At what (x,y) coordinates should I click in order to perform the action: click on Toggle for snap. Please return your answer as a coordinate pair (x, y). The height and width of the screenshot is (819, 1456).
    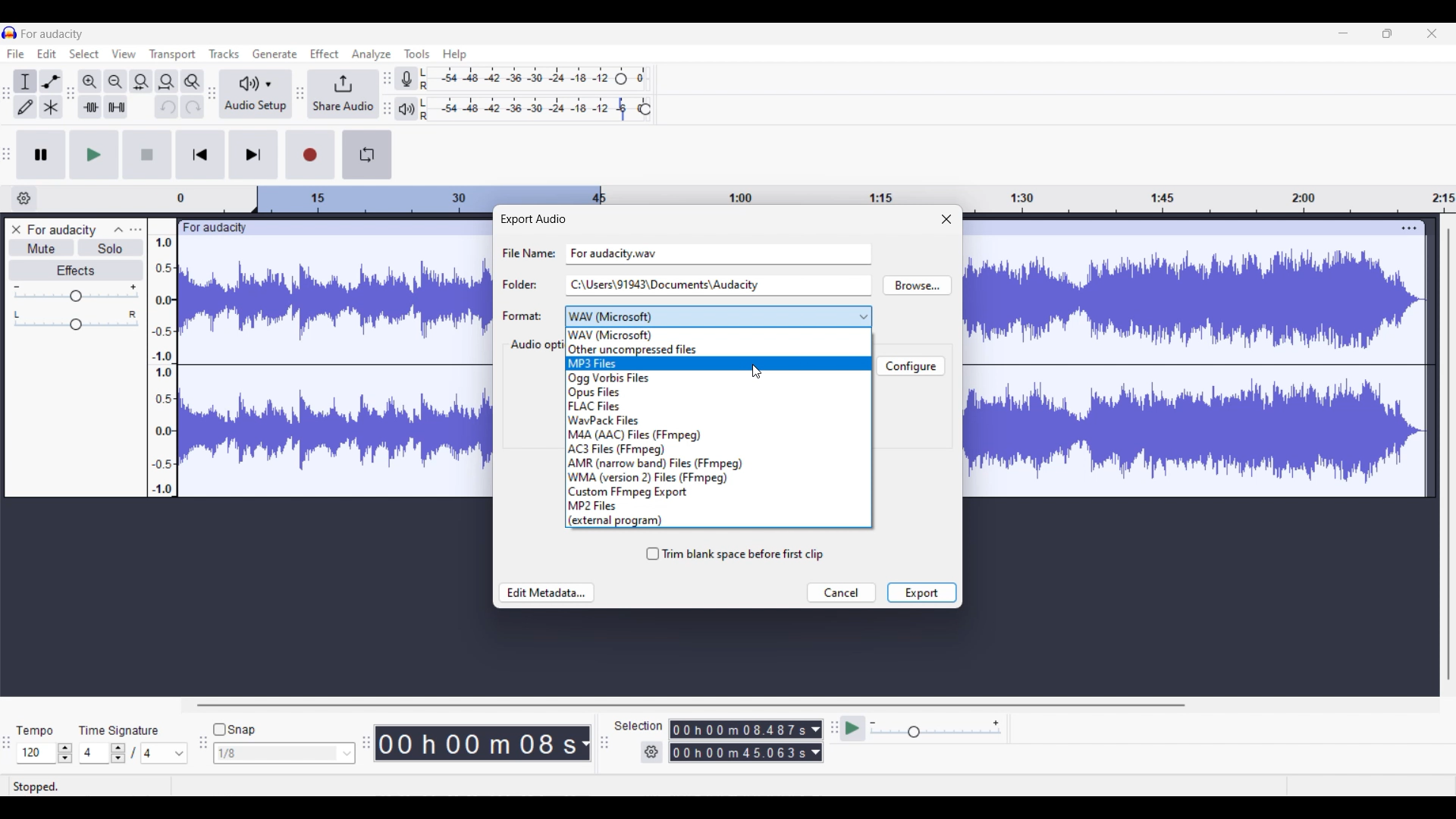
    Looking at the image, I should click on (234, 730).